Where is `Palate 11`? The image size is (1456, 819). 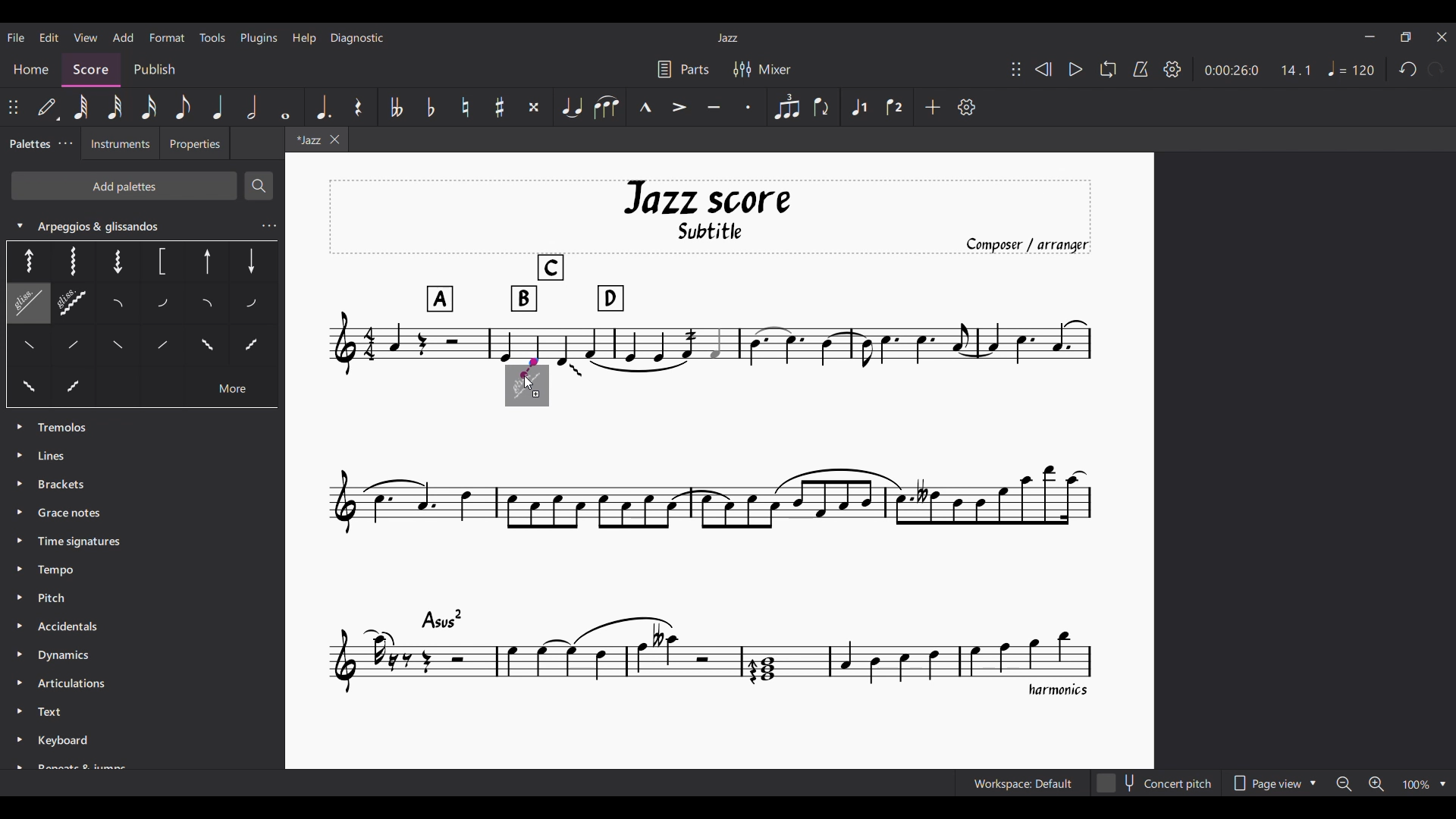
Palate 11 is located at coordinates (209, 306).